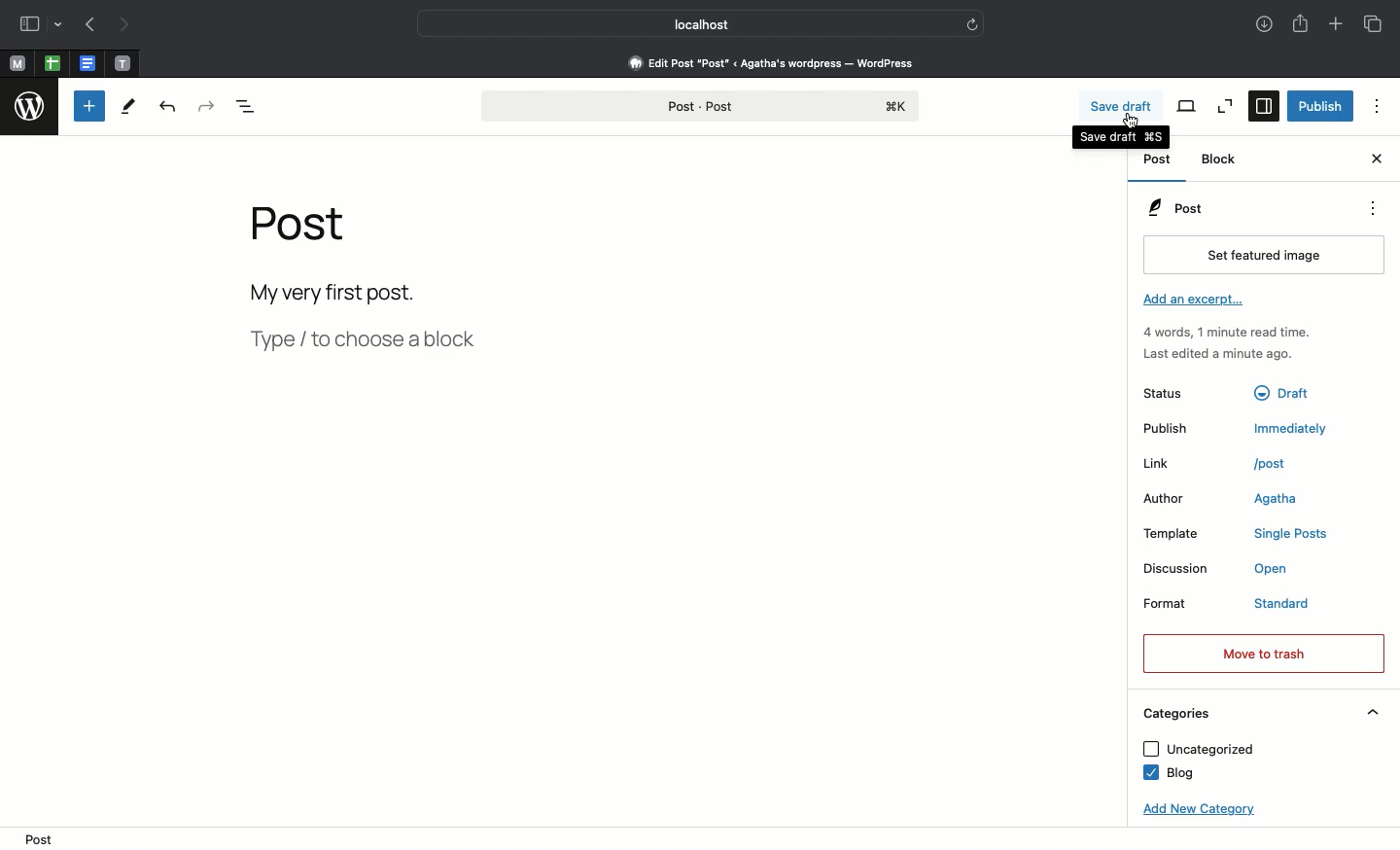  What do you see at coordinates (1178, 569) in the screenshot?
I see `Discussion` at bounding box center [1178, 569].